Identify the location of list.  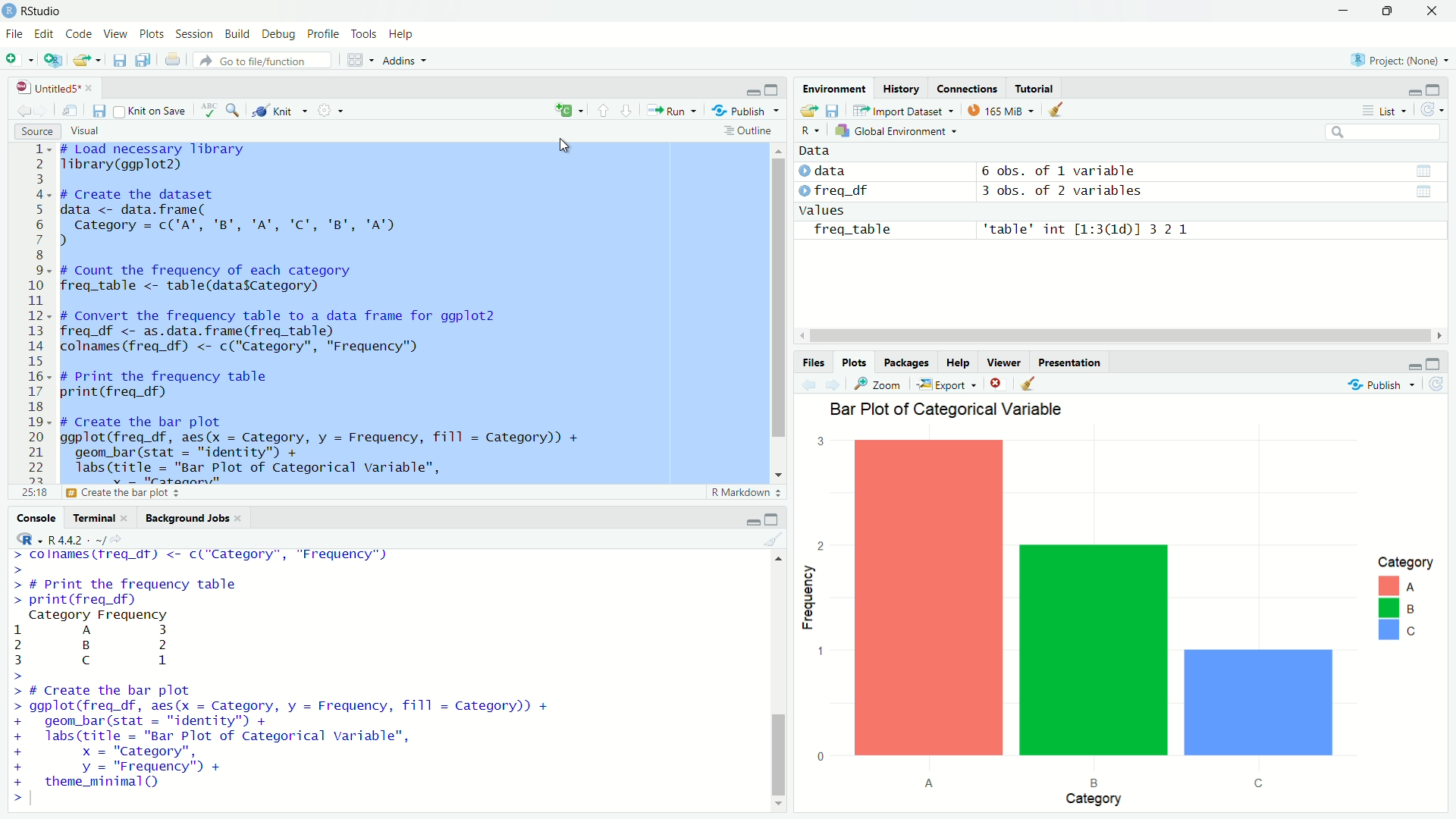
(1389, 111).